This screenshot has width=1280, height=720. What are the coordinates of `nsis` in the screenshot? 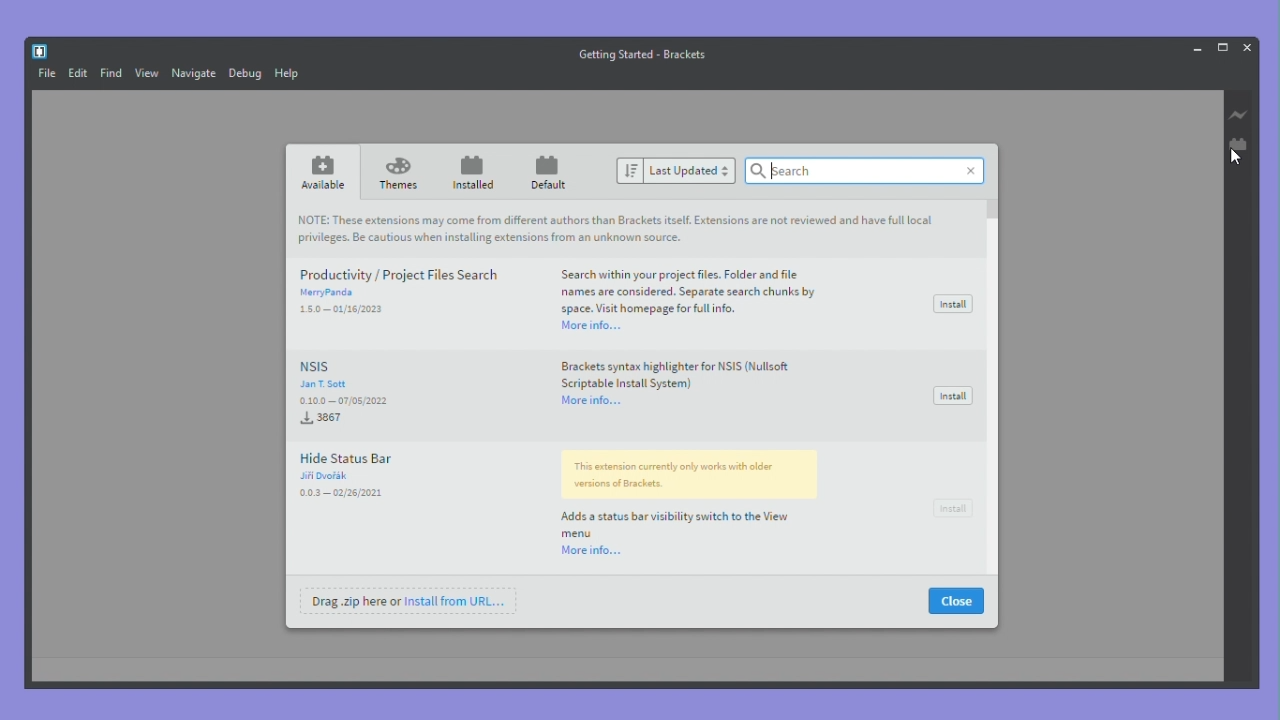 It's located at (387, 366).